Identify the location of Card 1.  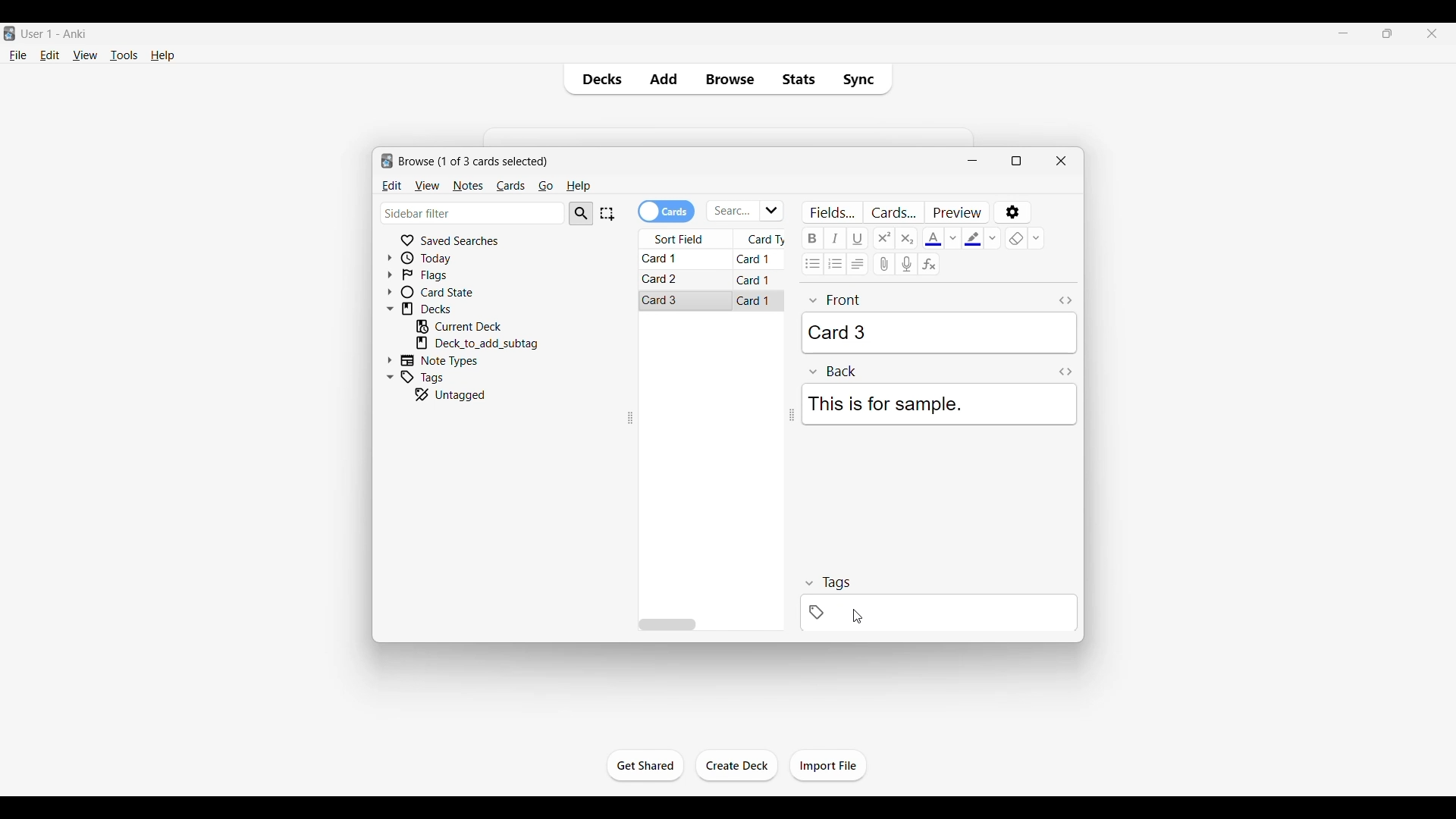
(755, 259).